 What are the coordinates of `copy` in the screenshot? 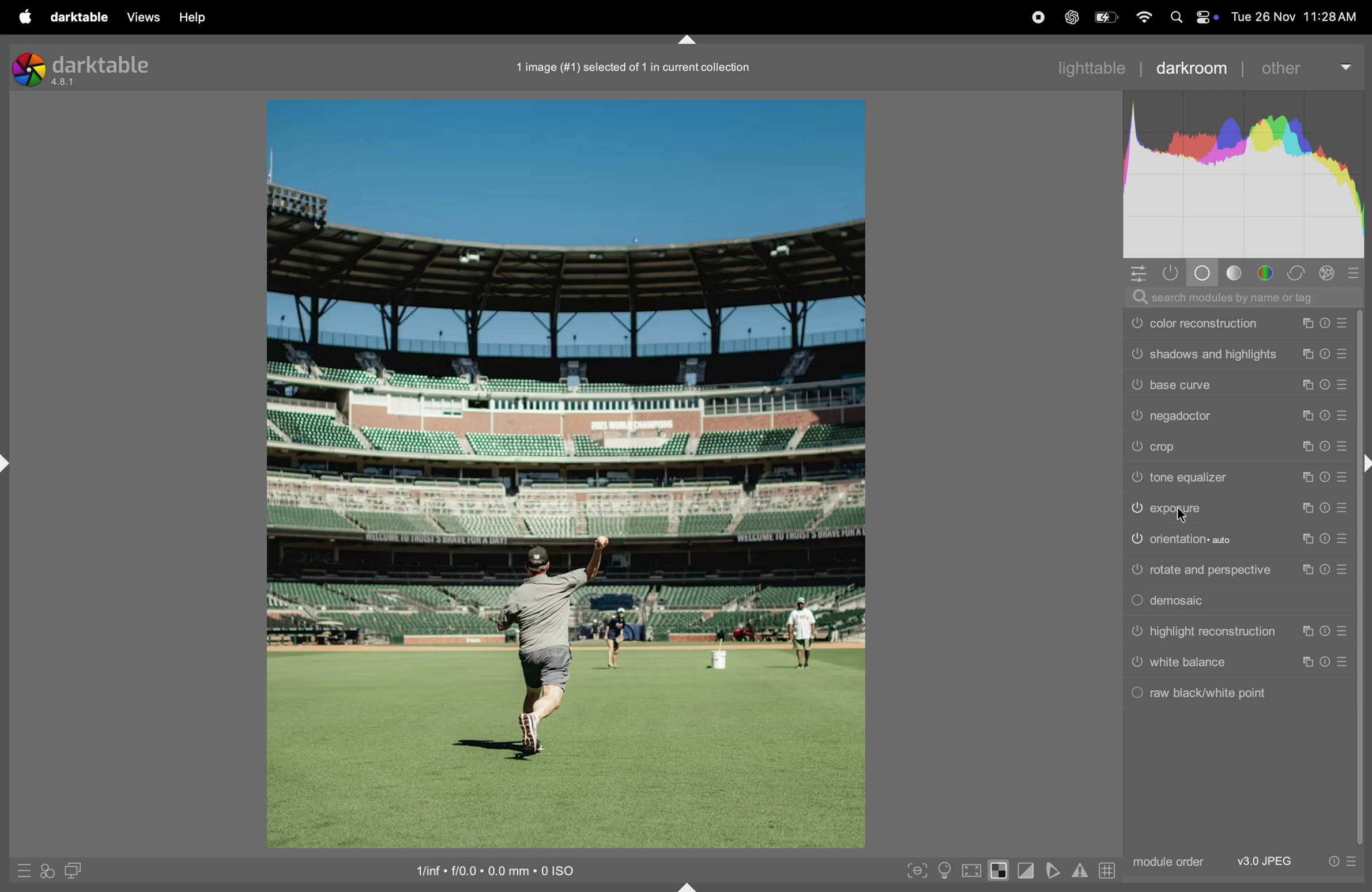 It's located at (1310, 416).